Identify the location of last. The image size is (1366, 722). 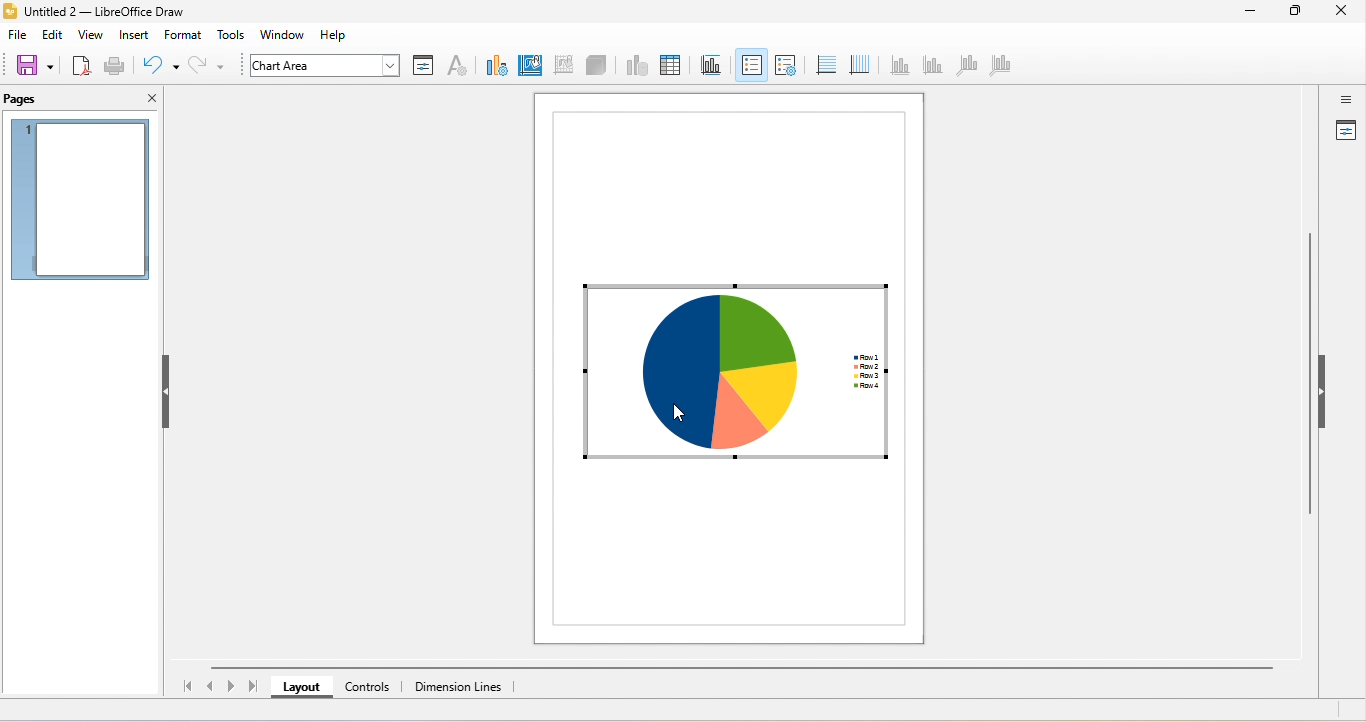
(253, 685).